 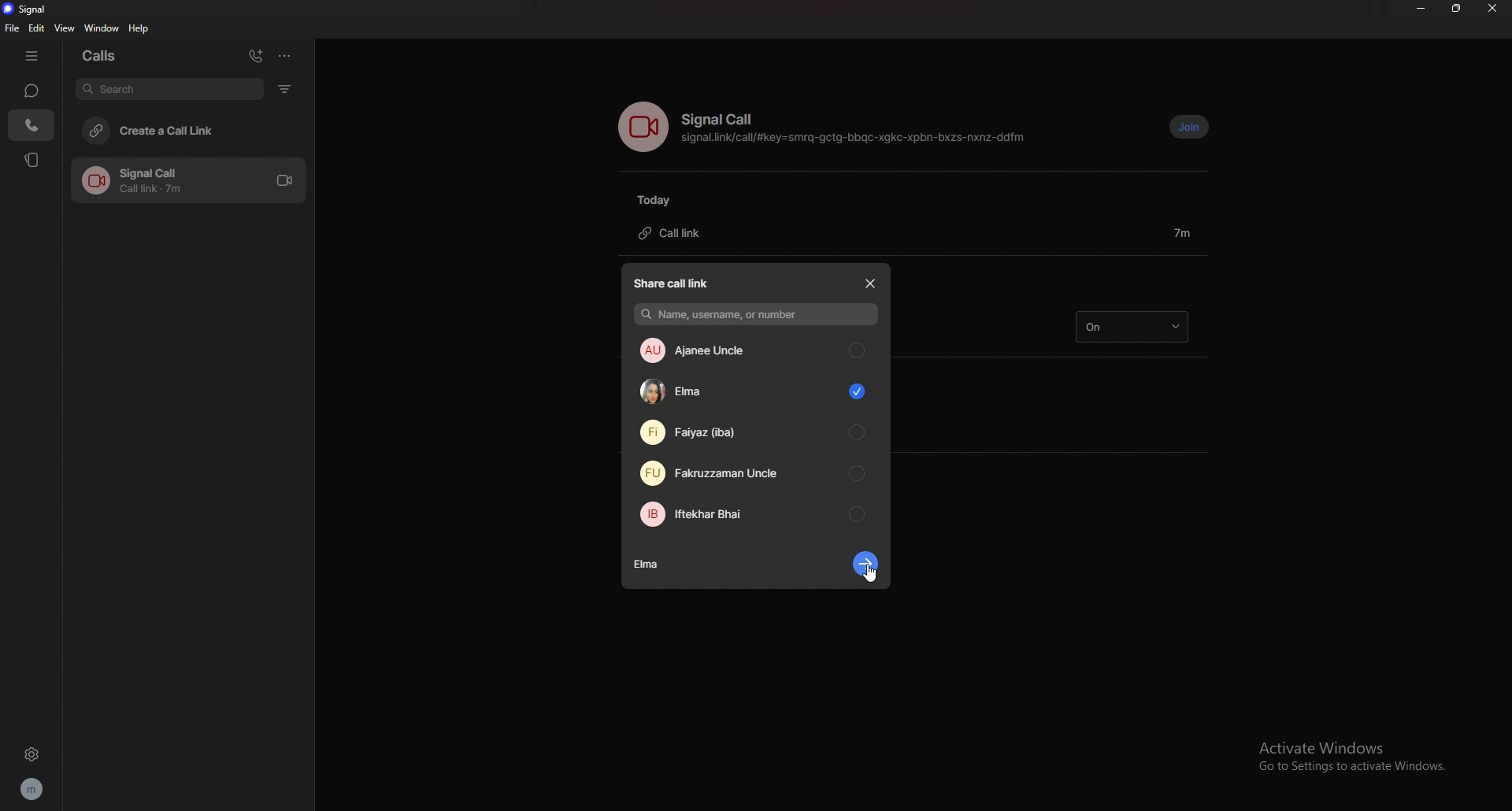 What do you see at coordinates (1182, 232) in the screenshot?
I see `duration` at bounding box center [1182, 232].